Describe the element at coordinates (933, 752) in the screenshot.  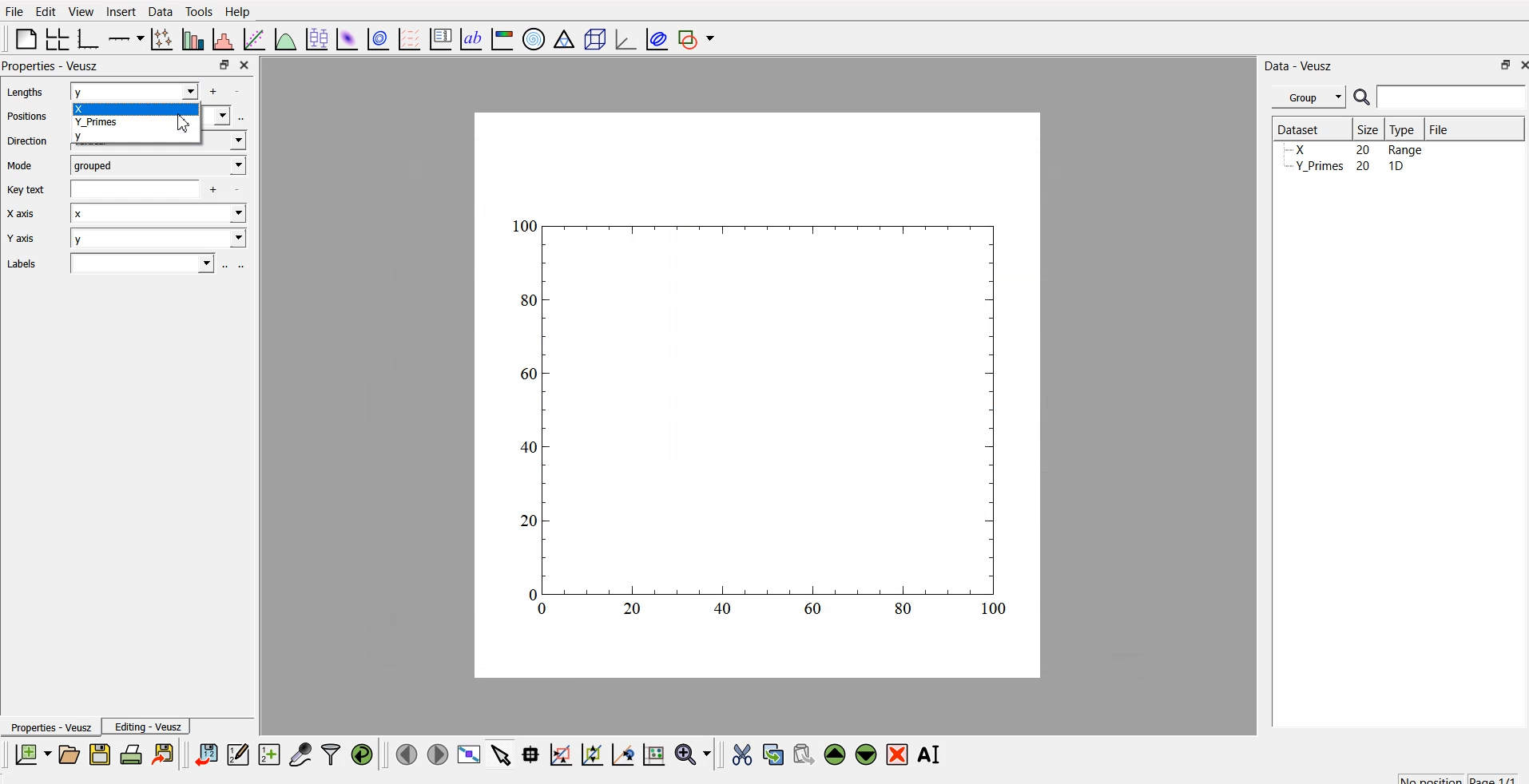
I see `rename the selected widget` at that location.